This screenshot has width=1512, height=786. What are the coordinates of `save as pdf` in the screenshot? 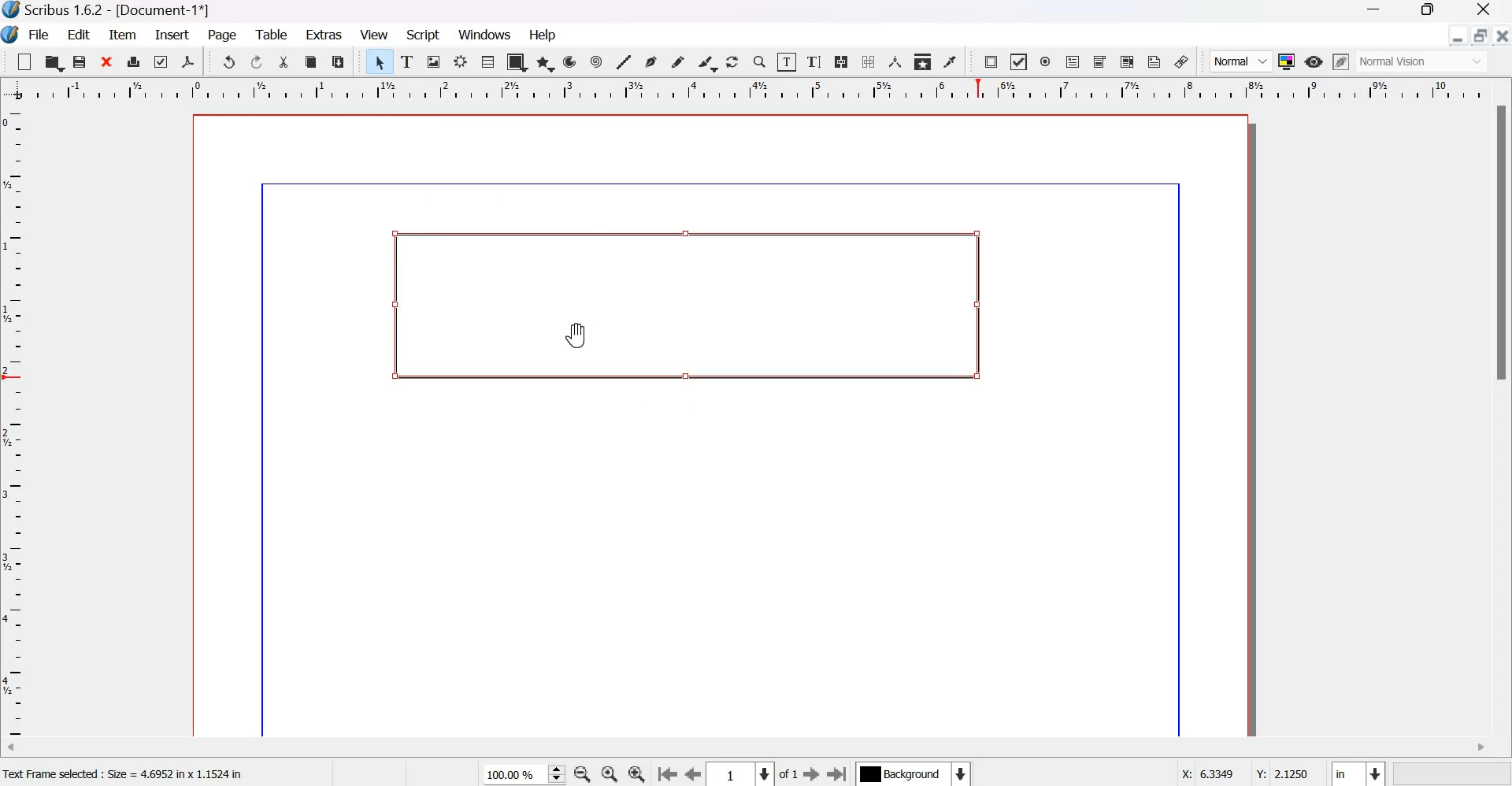 It's located at (187, 61).